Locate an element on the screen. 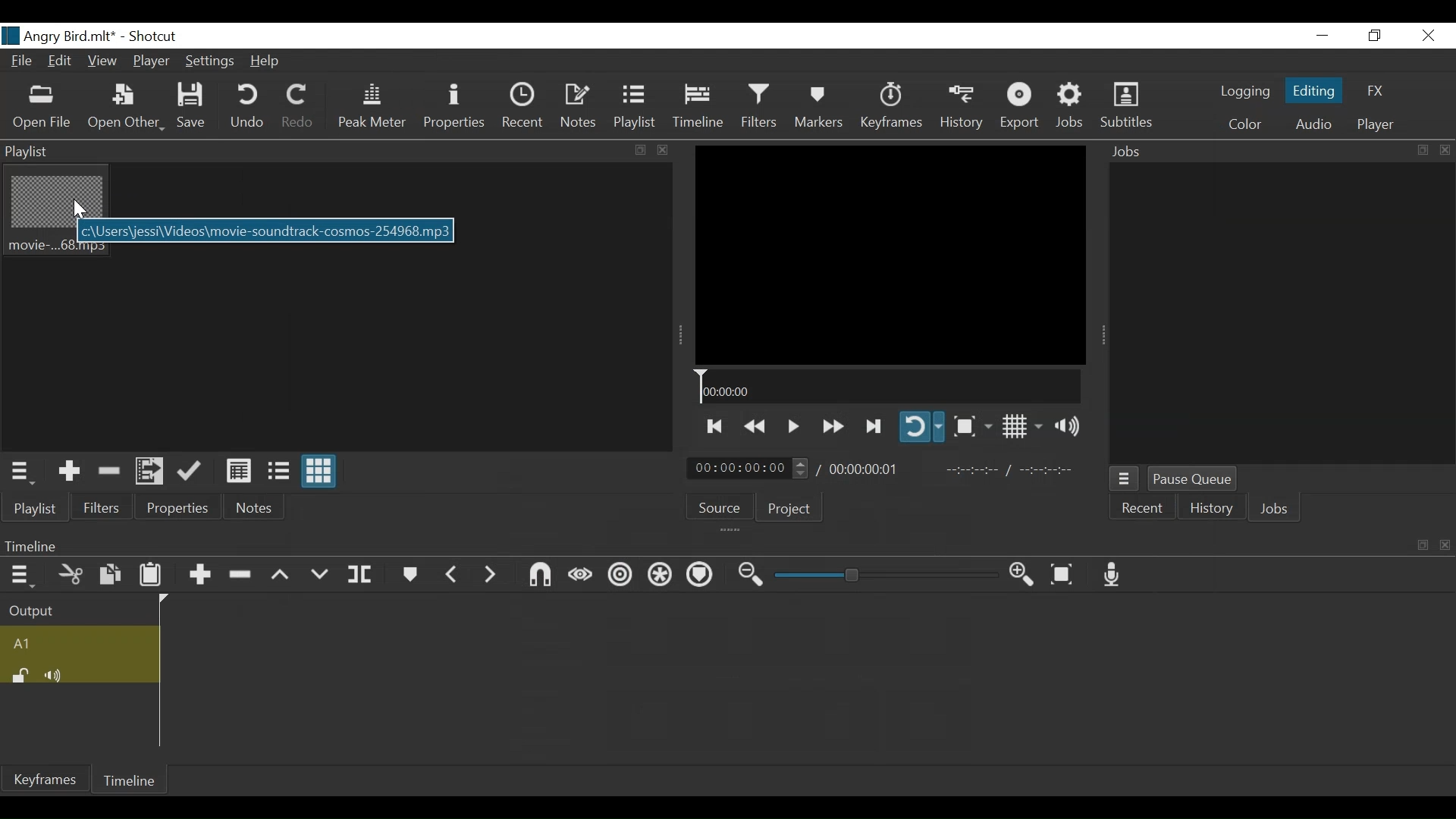 This screenshot has height=819, width=1456. Overwrite is located at coordinates (321, 573).